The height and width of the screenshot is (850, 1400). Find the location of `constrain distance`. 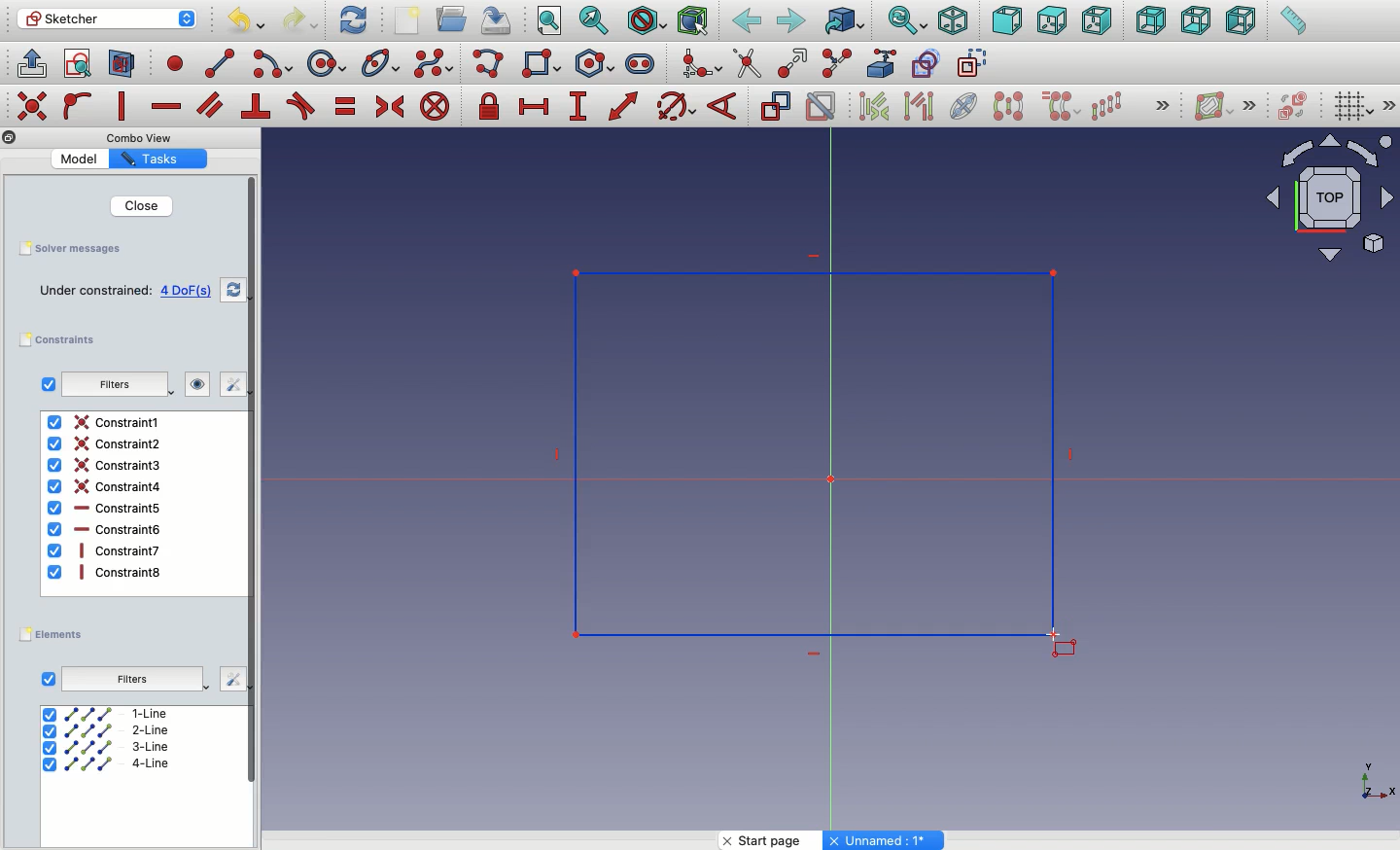

constrain distance is located at coordinates (624, 106).